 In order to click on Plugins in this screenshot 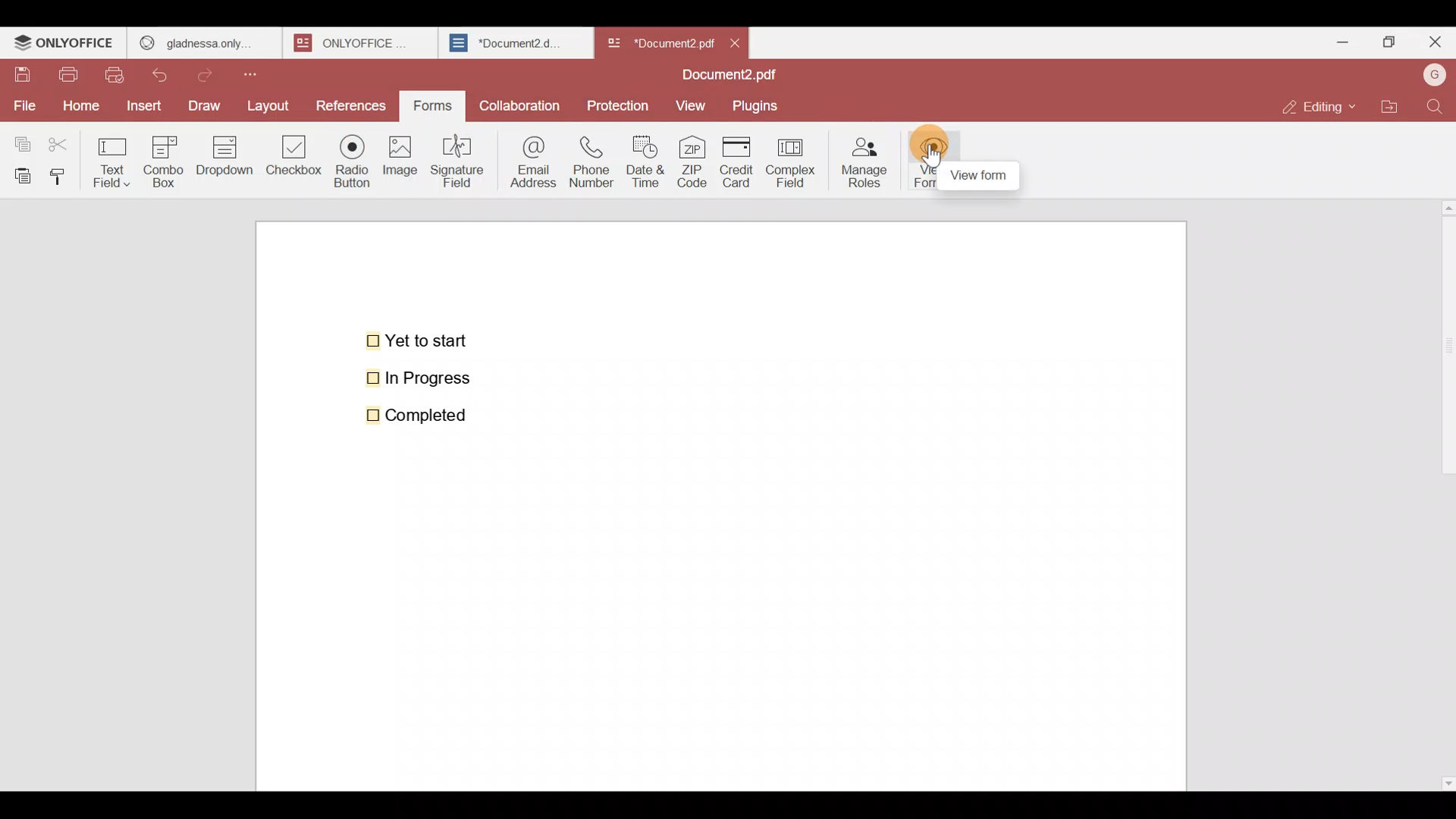, I will do `click(761, 106)`.